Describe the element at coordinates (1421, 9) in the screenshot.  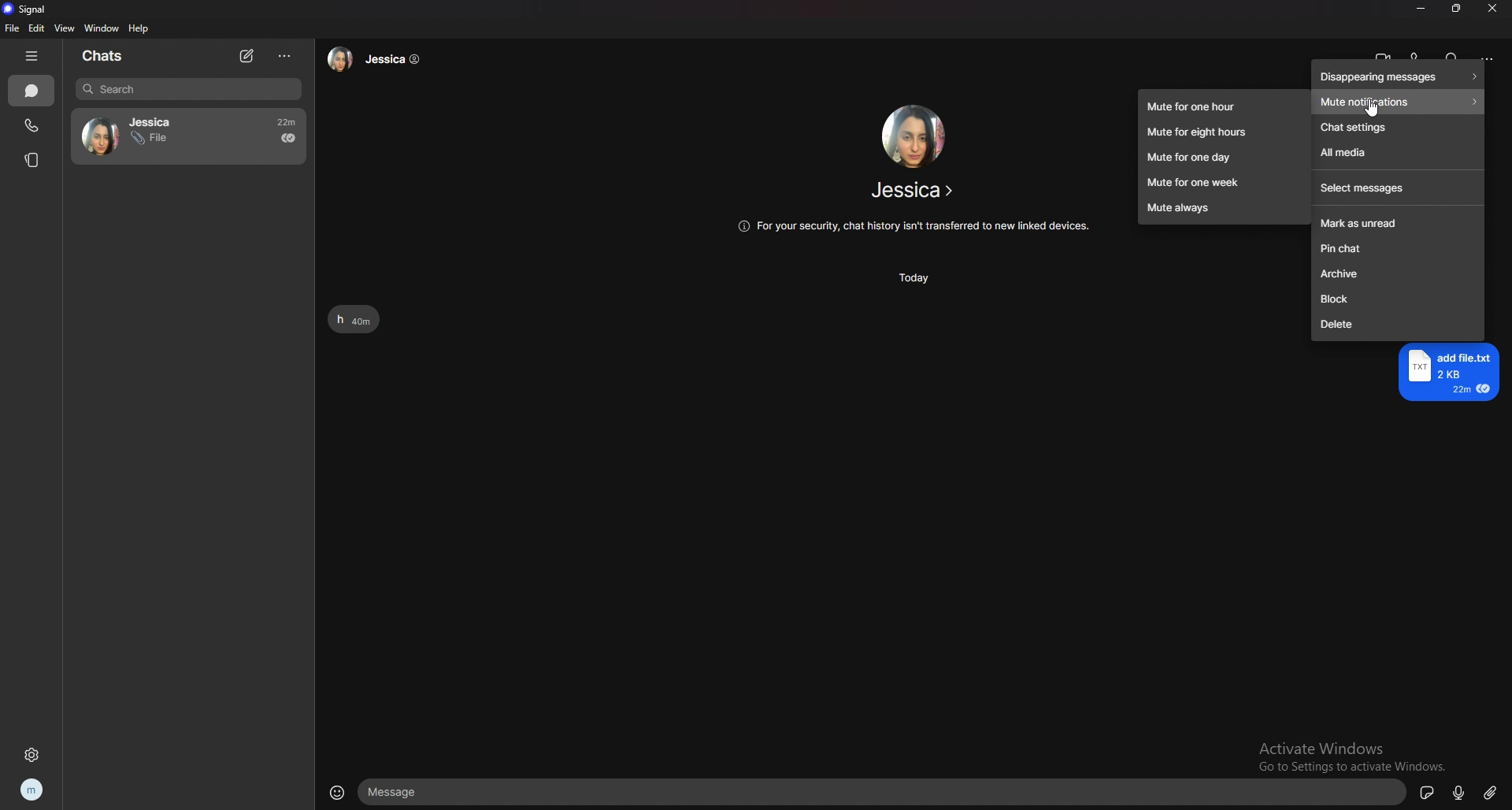
I see `minimize` at that location.